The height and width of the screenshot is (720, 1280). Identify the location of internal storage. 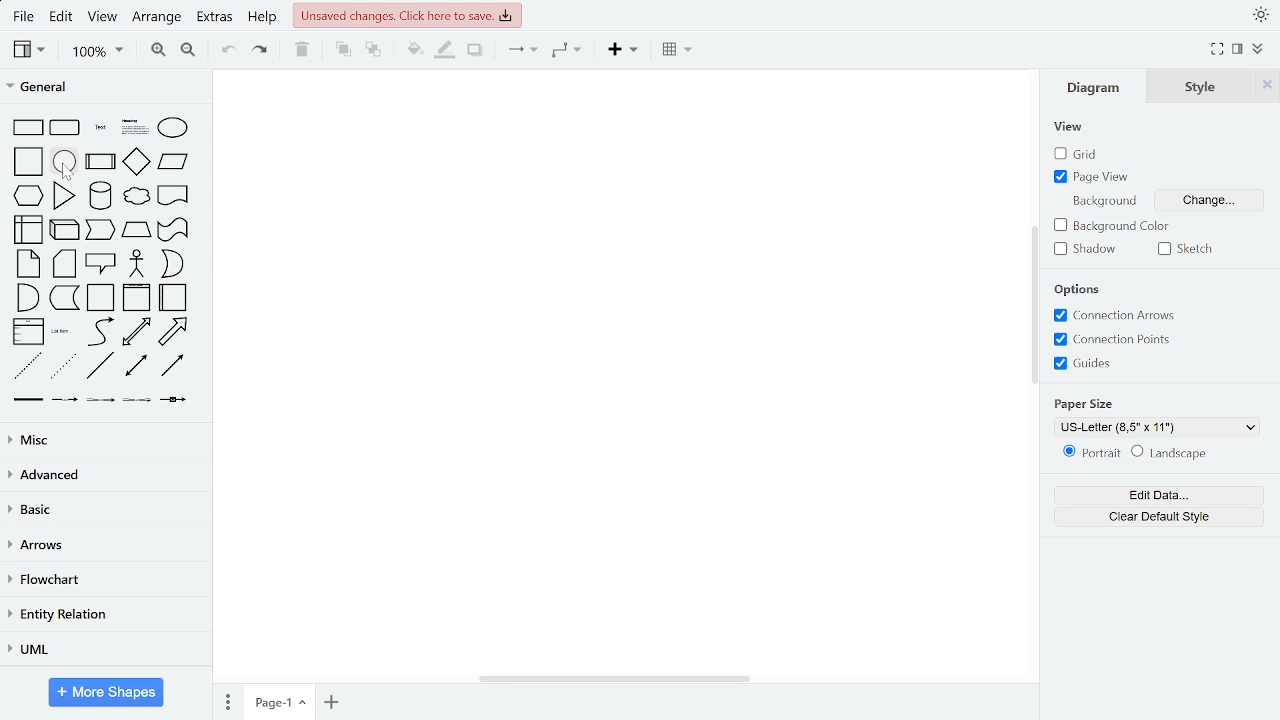
(29, 230).